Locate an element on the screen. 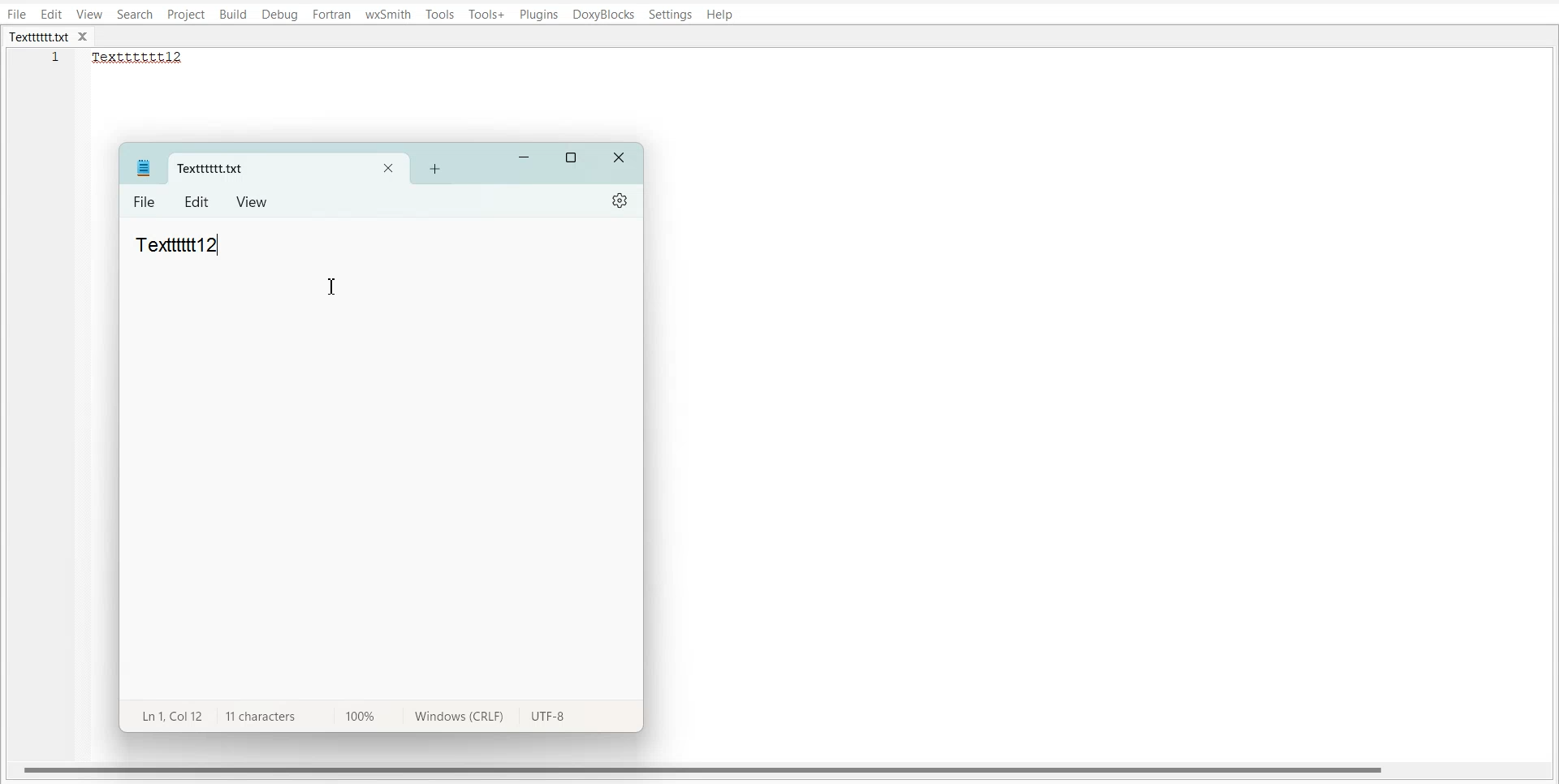  View is located at coordinates (90, 14).